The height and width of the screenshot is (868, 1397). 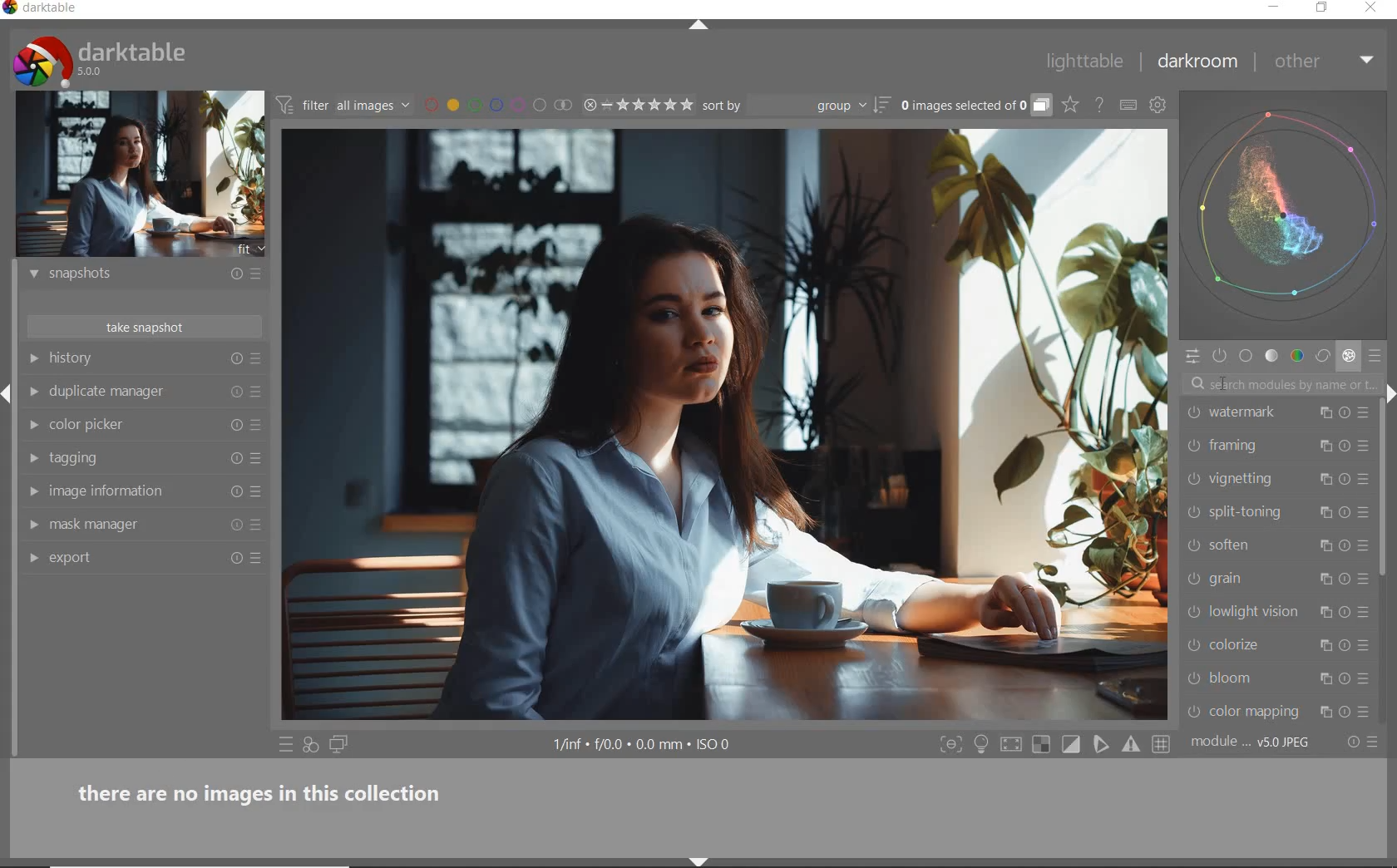 I want to click on preset and preferences, so click(x=1366, y=645).